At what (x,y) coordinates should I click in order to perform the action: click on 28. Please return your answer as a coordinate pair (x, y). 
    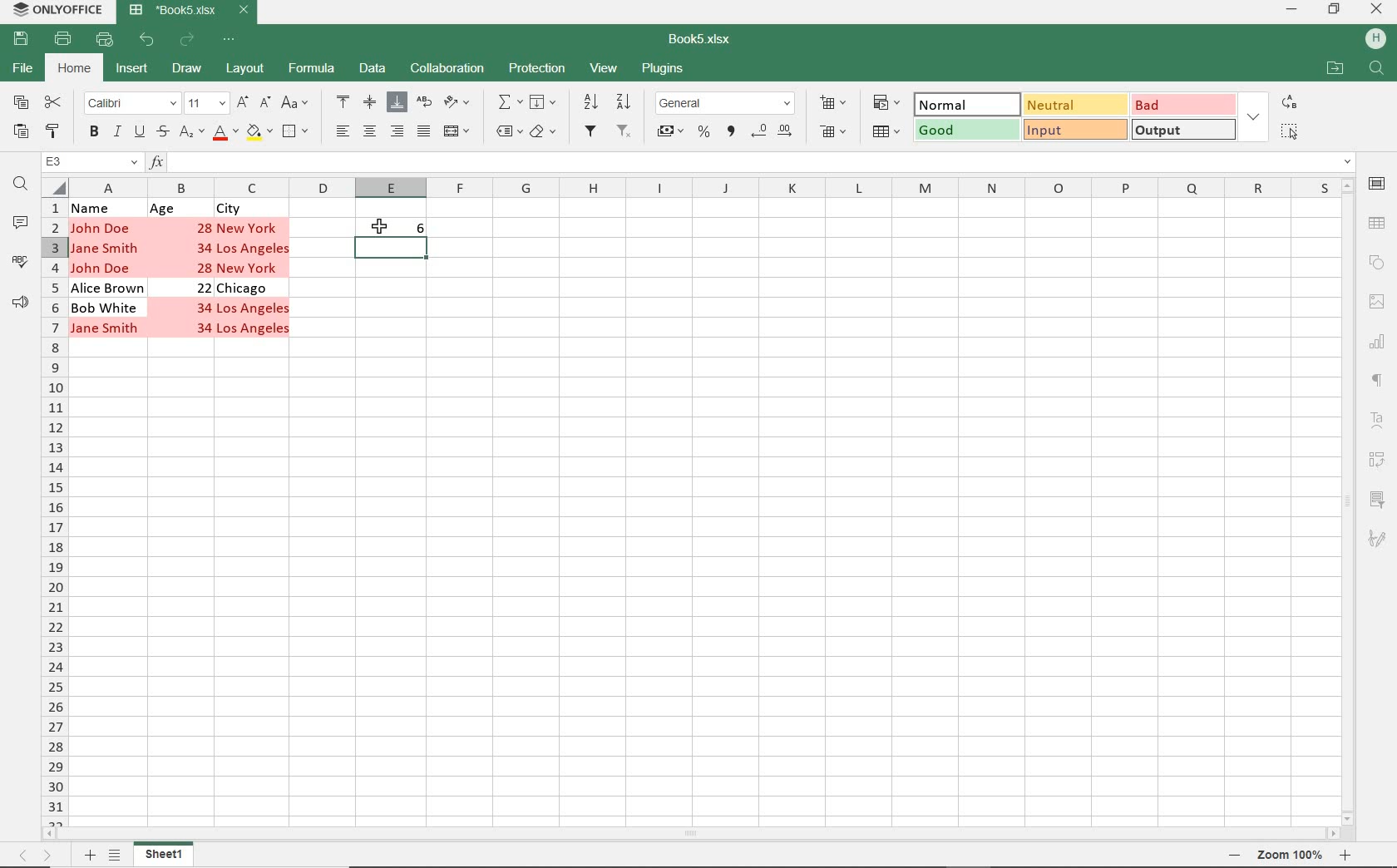
    Looking at the image, I should click on (205, 226).